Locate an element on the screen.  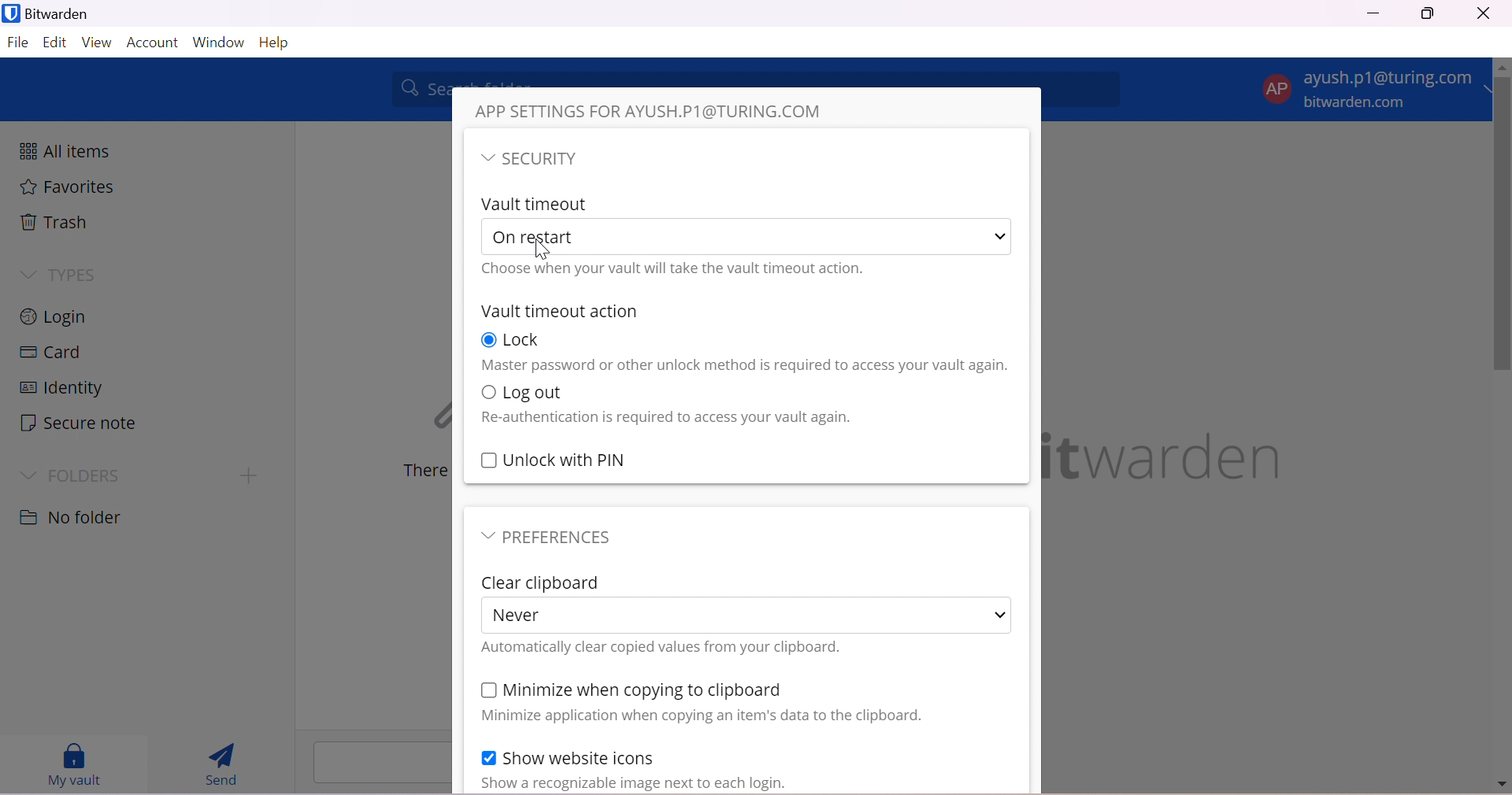
Log out is located at coordinates (536, 394).